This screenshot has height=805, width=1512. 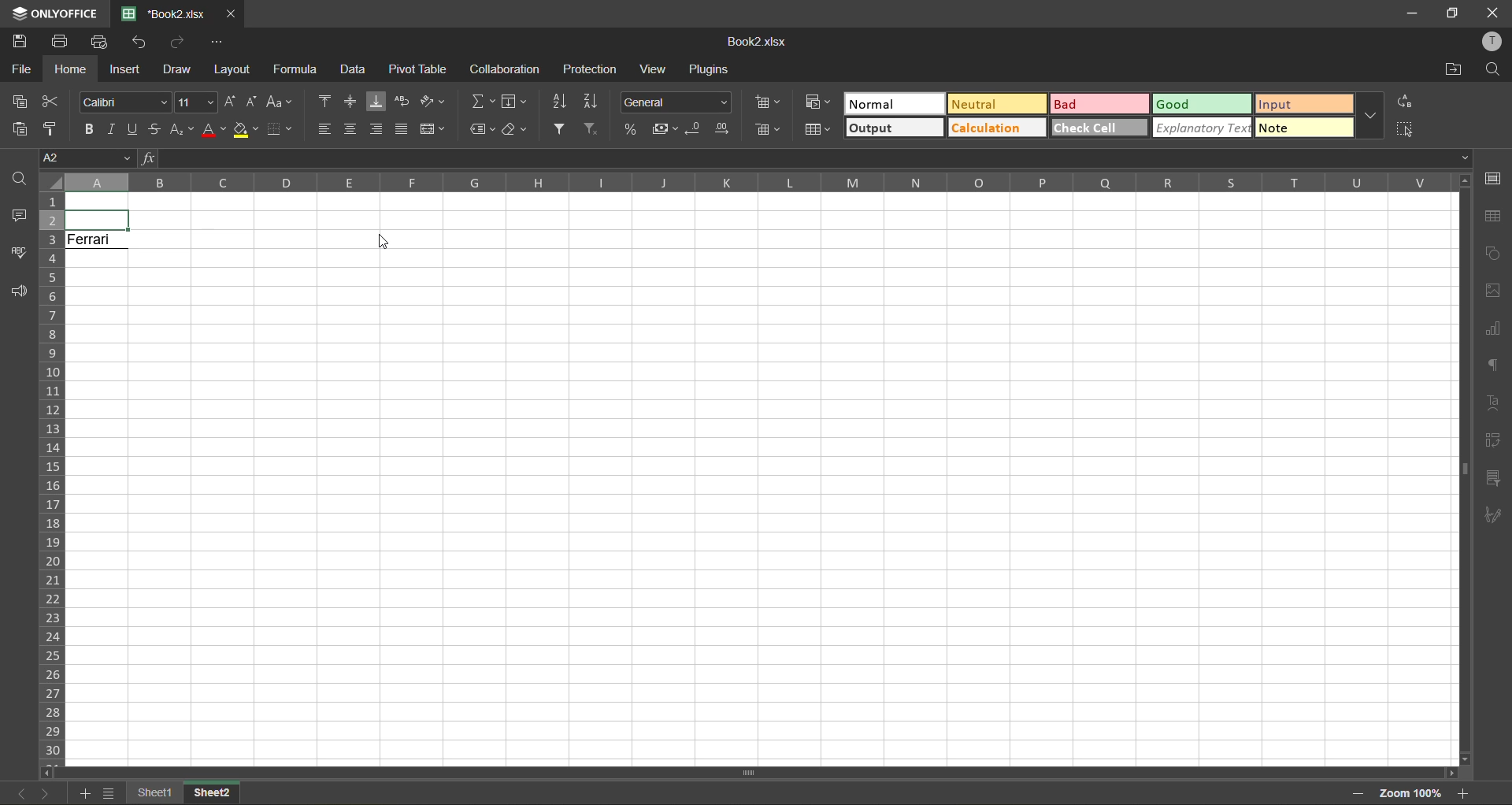 I want to click on pivot table, so click(x=421, y=69).